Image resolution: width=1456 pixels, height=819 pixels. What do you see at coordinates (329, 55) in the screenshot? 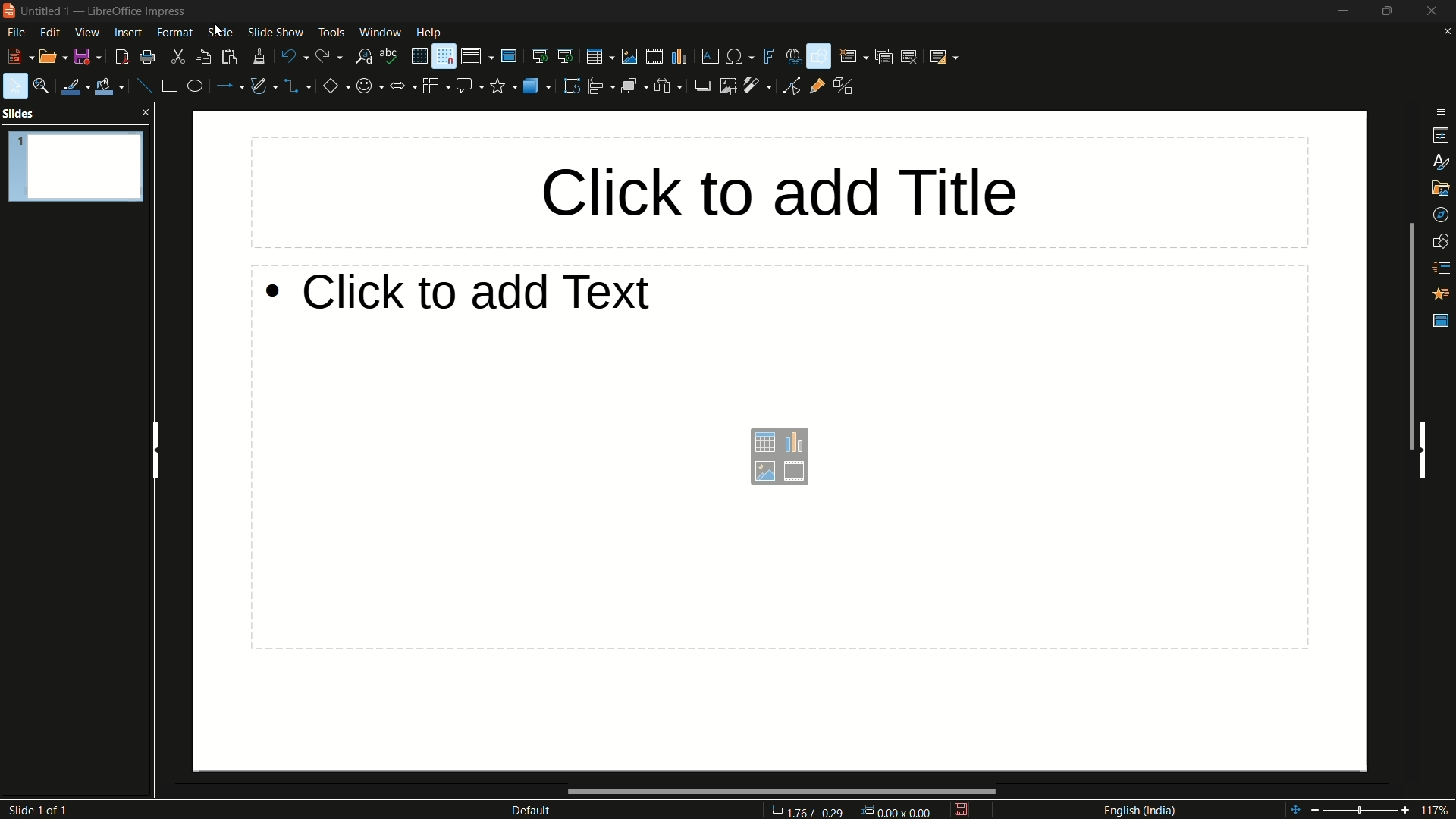
I see `redo` at bounding box center [329, 55].